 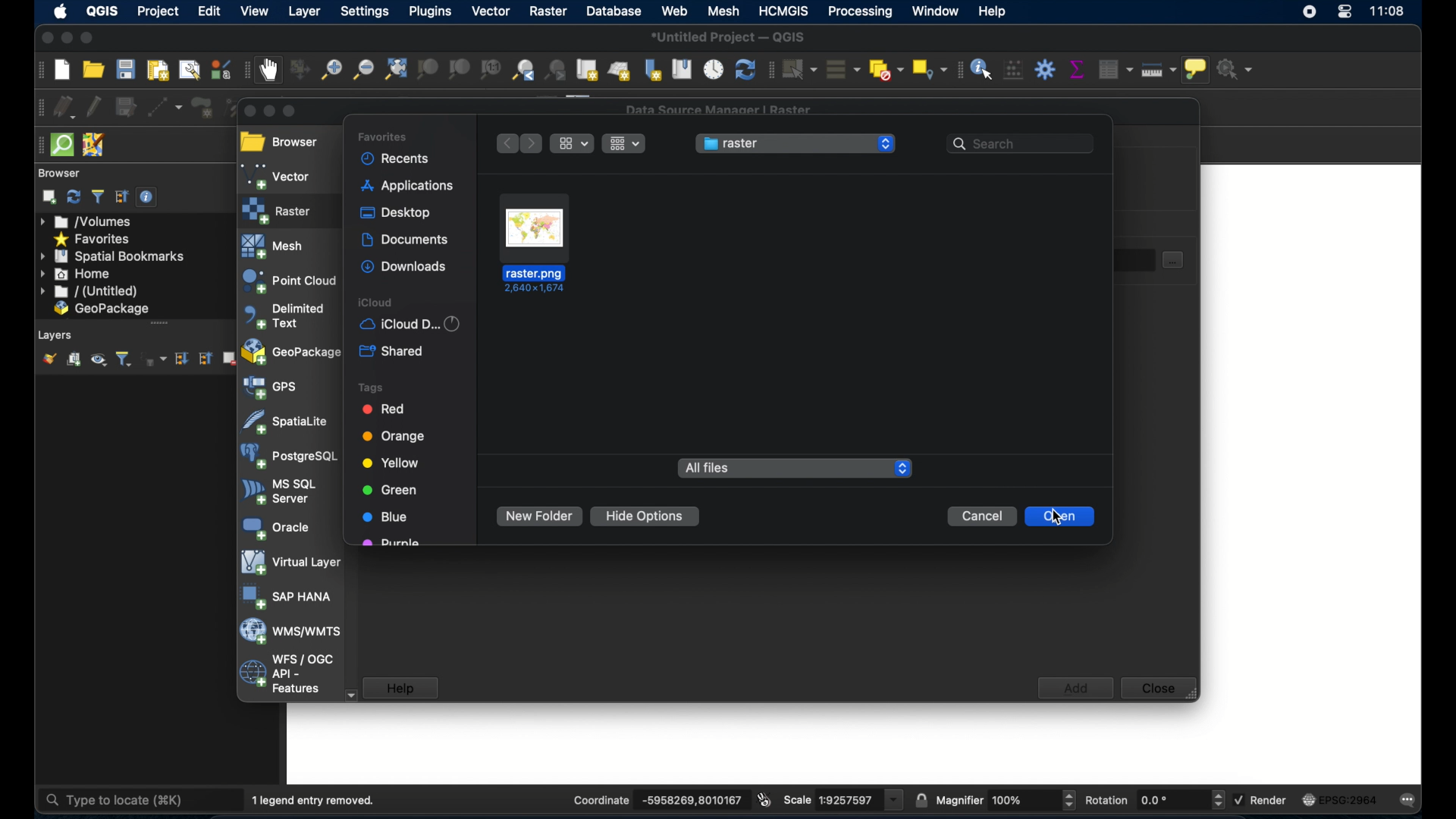 What do you see at coordinates (74, 359) in the screenshot?
I see `add group` at bounding box center [74, 359].